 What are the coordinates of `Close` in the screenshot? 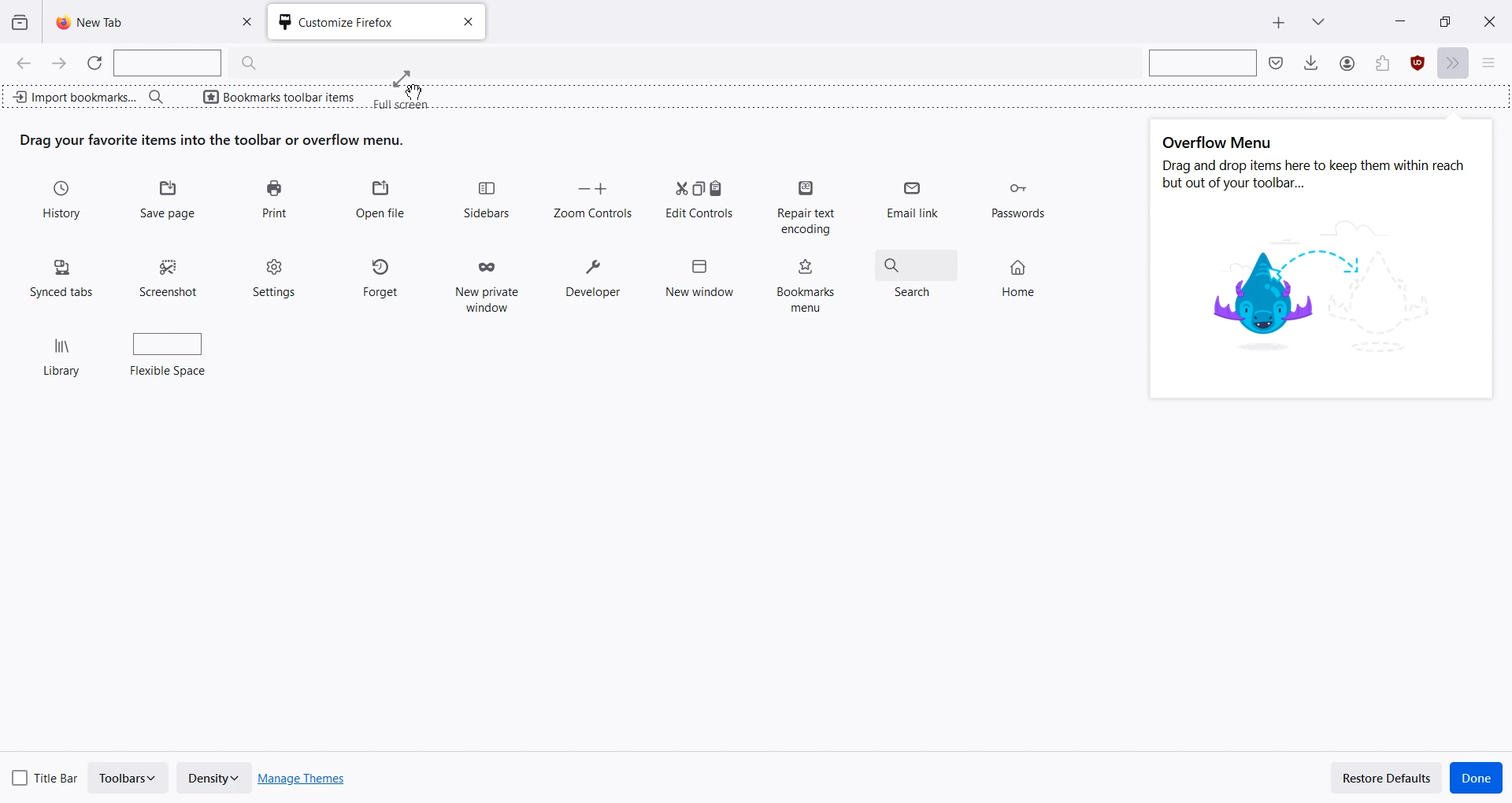 It's located at (1489, 20).